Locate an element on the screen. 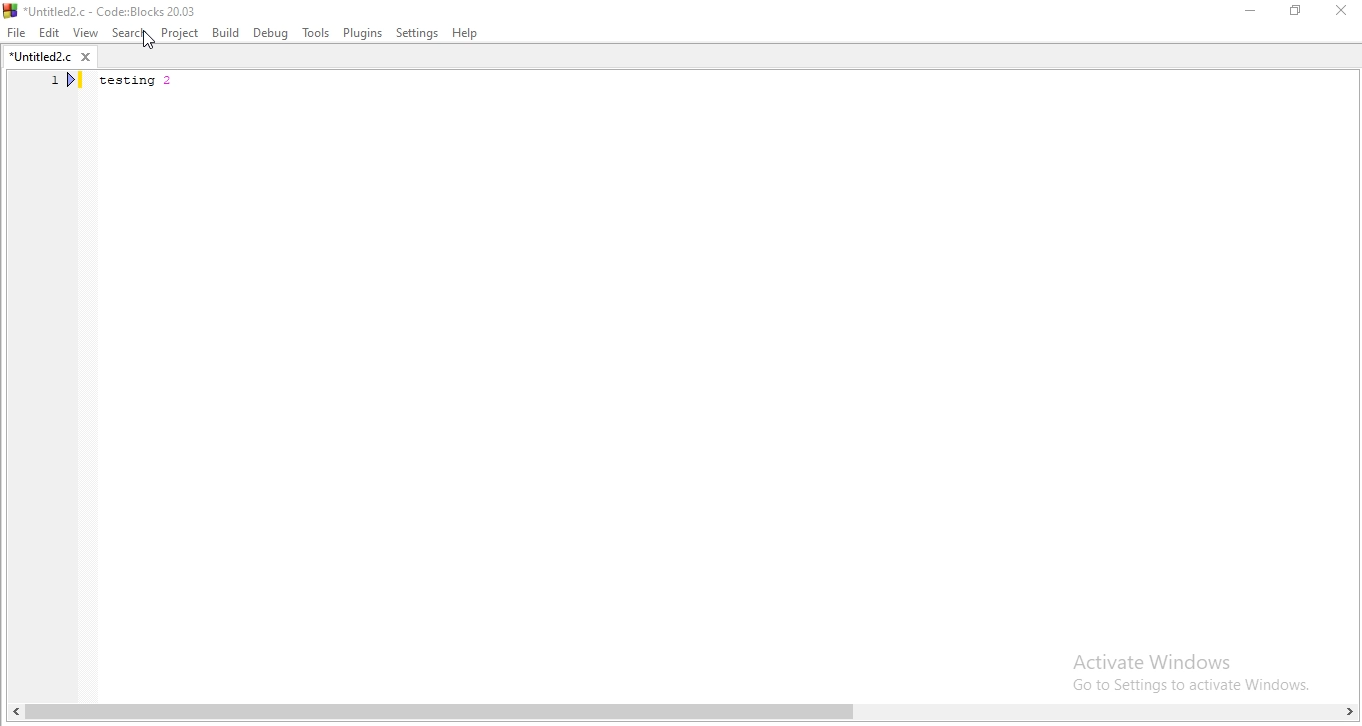  line number is located at coordinates (65, 83).